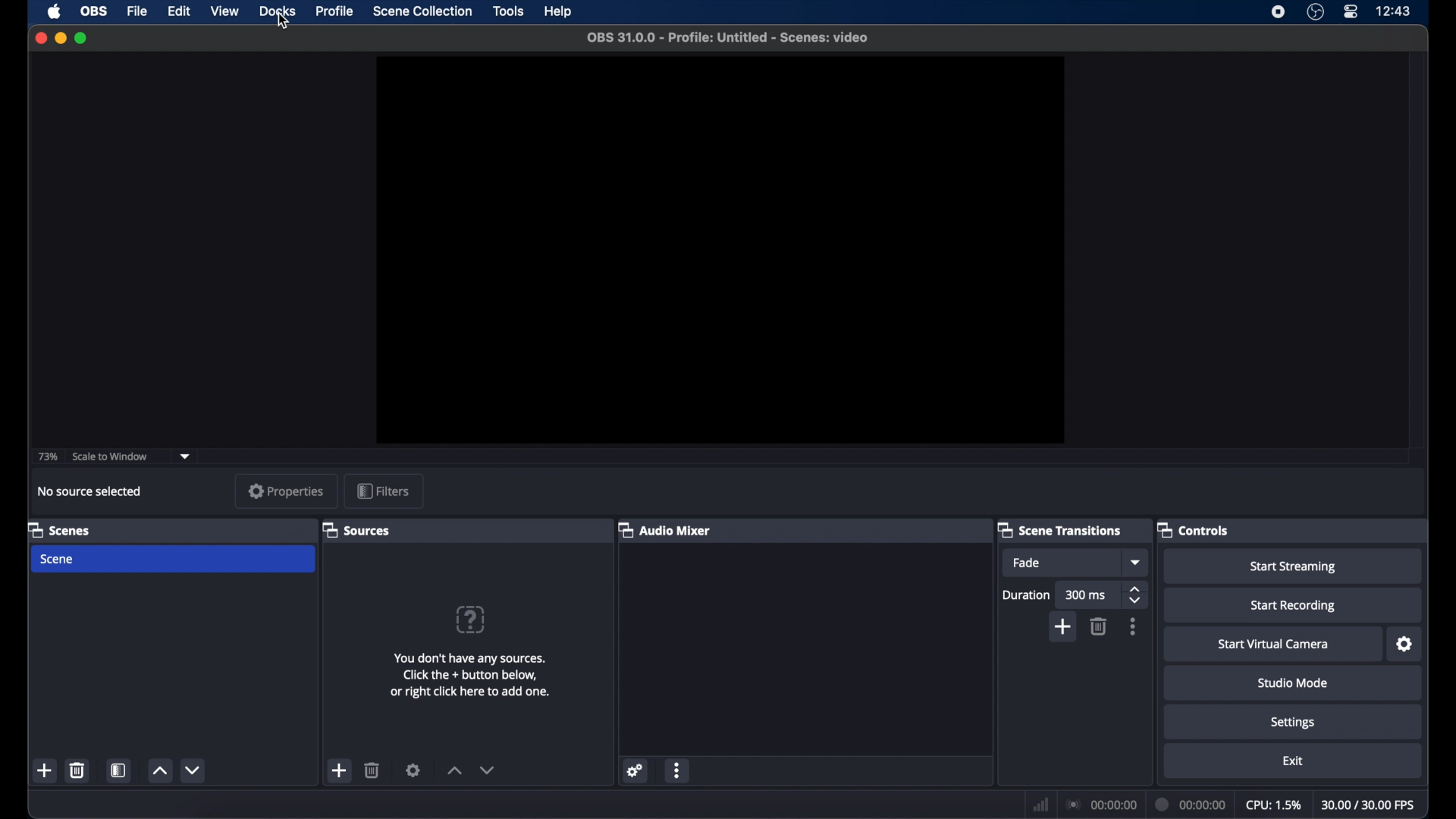 This screenshot has width=1456, height=819. What do you see at coordinates (1027, 563) in the screenshot?
I see `fade` at bounding box center [1027, 563].